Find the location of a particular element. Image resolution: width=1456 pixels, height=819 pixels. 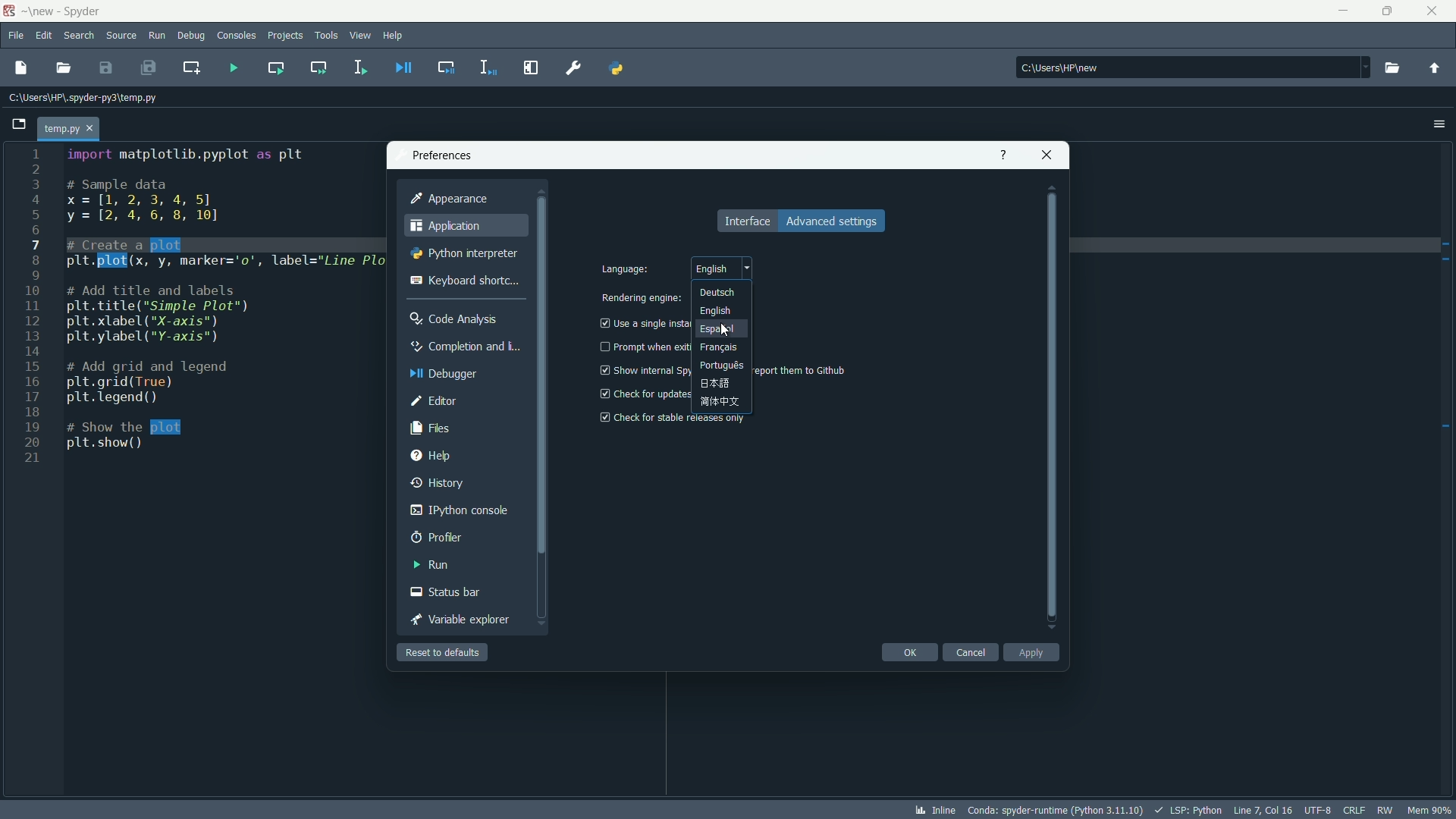

open file is located at coordinates (64, 68).